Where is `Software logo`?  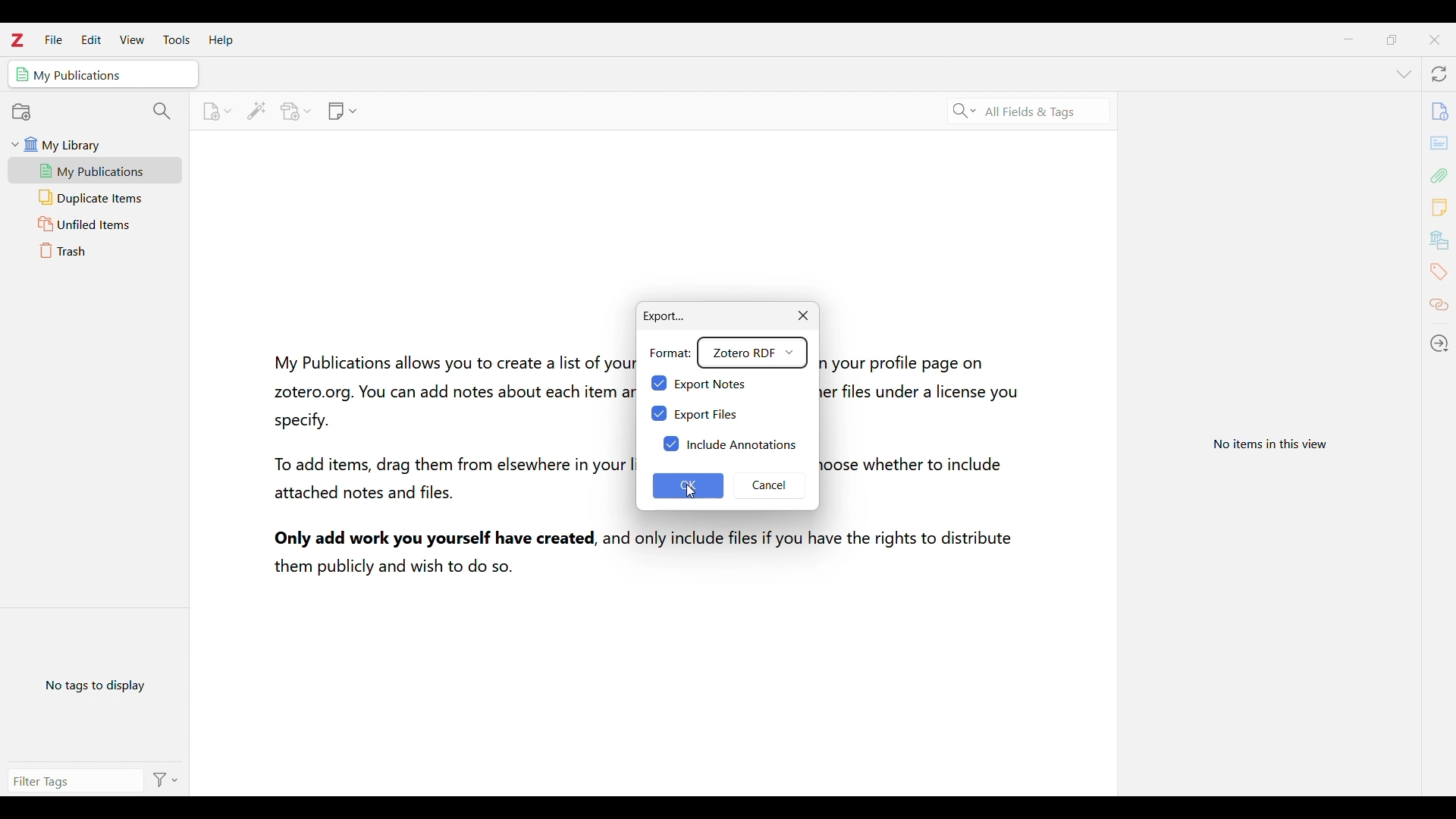 Software logo is located at coordinates (17, 40).